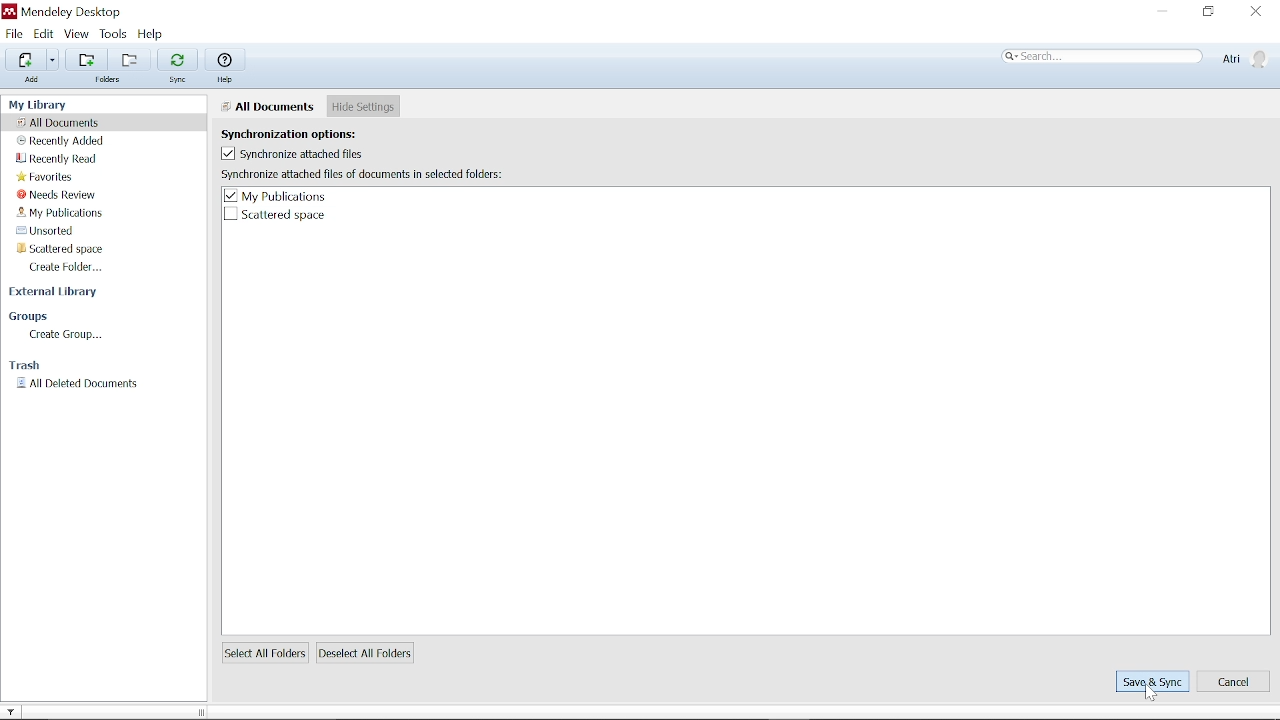 The height and width of the screenshot is (720, 1280). Describe the element at coordinates (46, 176) in the screenshot. I see `Favorites` at that location.